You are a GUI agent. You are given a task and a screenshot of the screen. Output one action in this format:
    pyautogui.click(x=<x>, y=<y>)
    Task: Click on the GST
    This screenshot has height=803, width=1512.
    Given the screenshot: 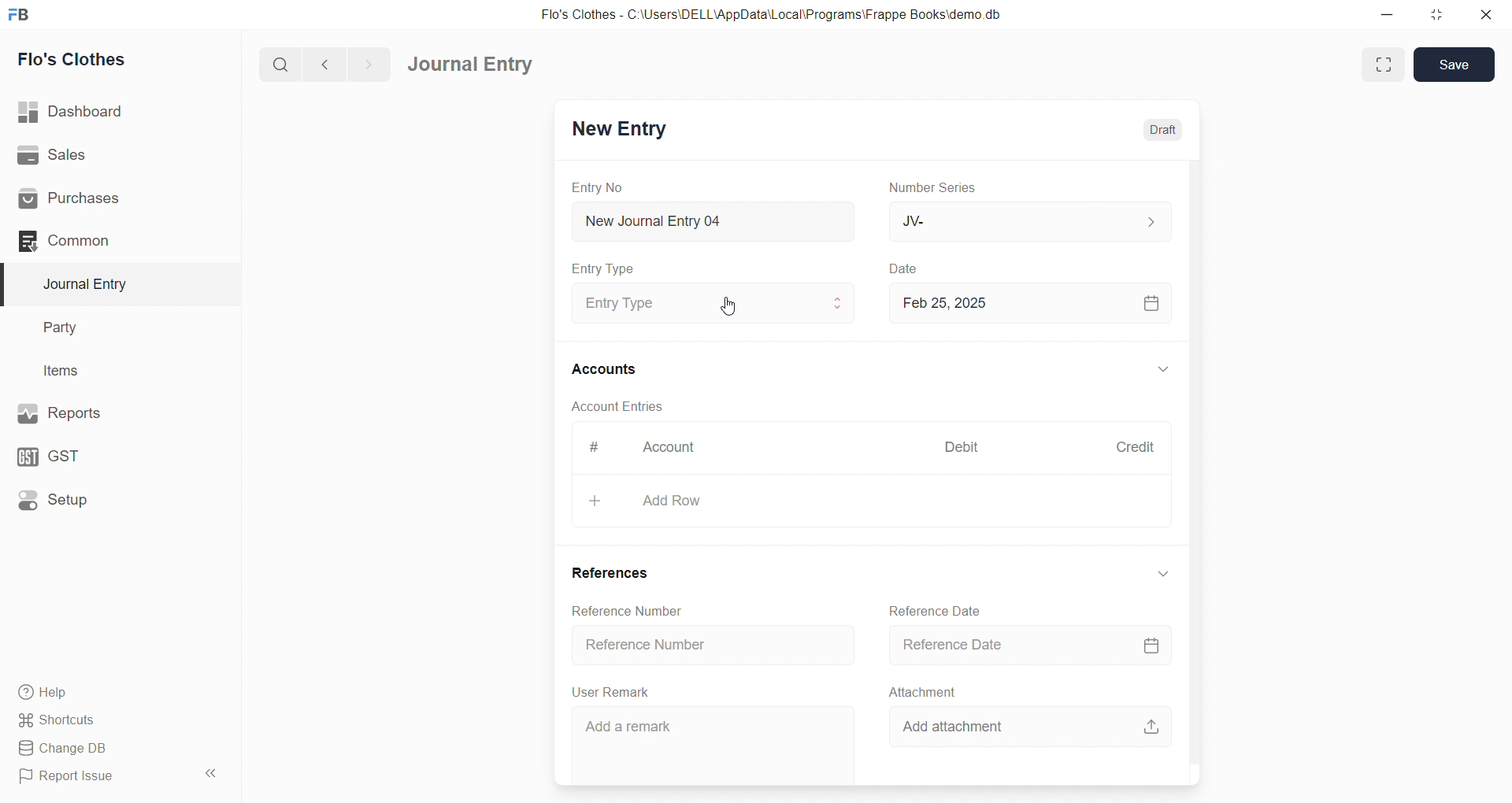 What is the action you would take?
    pyautogui.click(x=109, y=453)
    